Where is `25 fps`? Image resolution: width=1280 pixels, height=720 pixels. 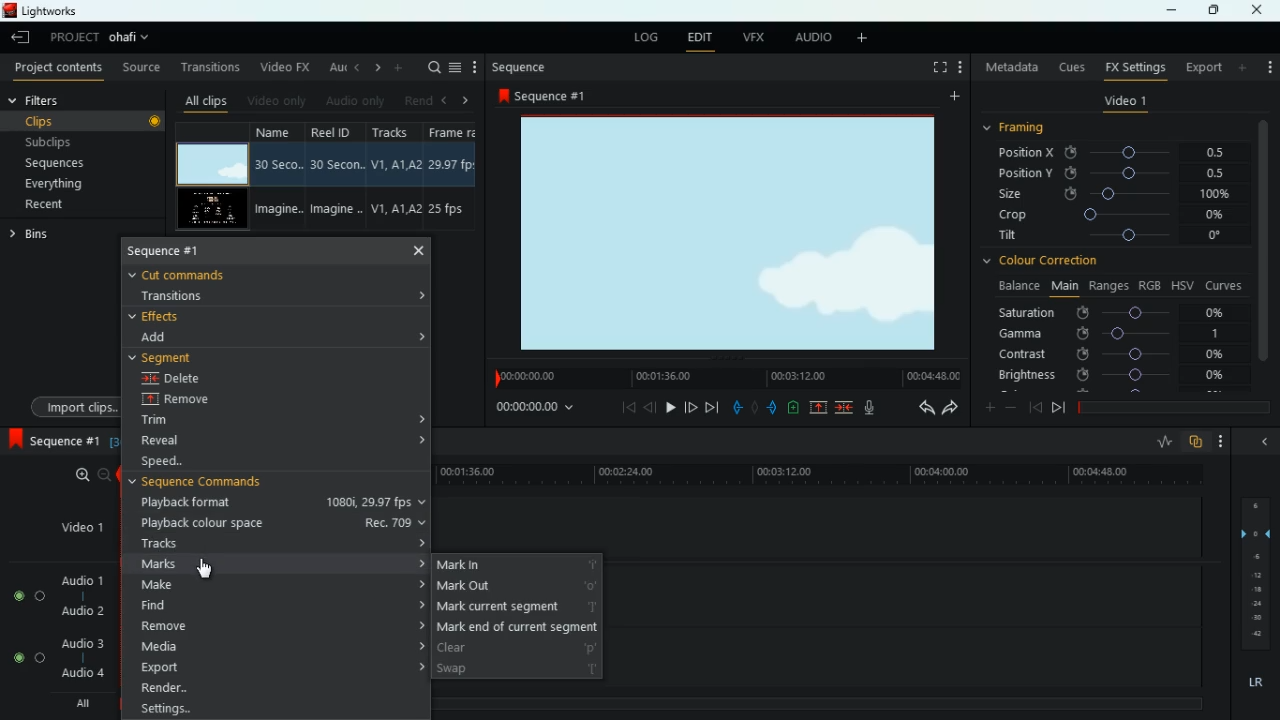
25 fps is located at coordinates (452, 208).